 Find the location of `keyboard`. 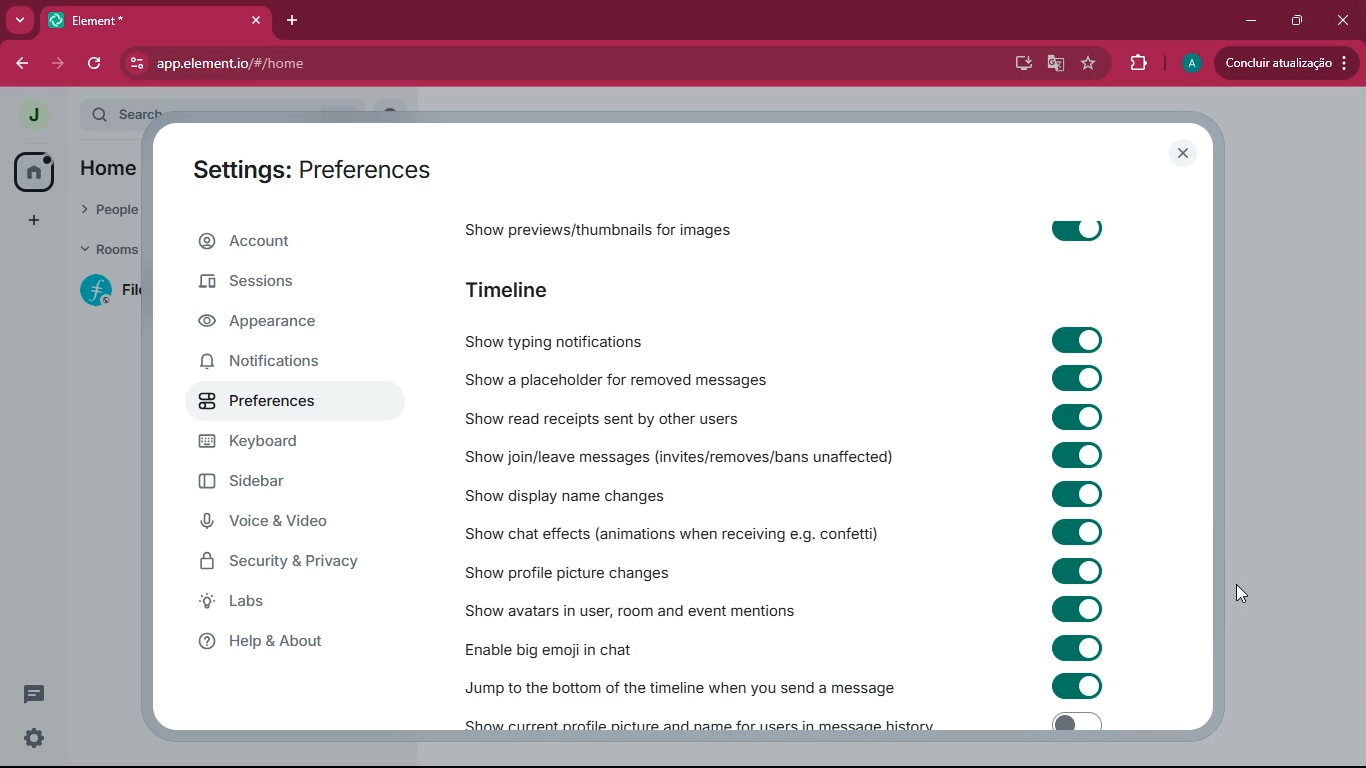

keyboard is located at coordinates (276, 445).